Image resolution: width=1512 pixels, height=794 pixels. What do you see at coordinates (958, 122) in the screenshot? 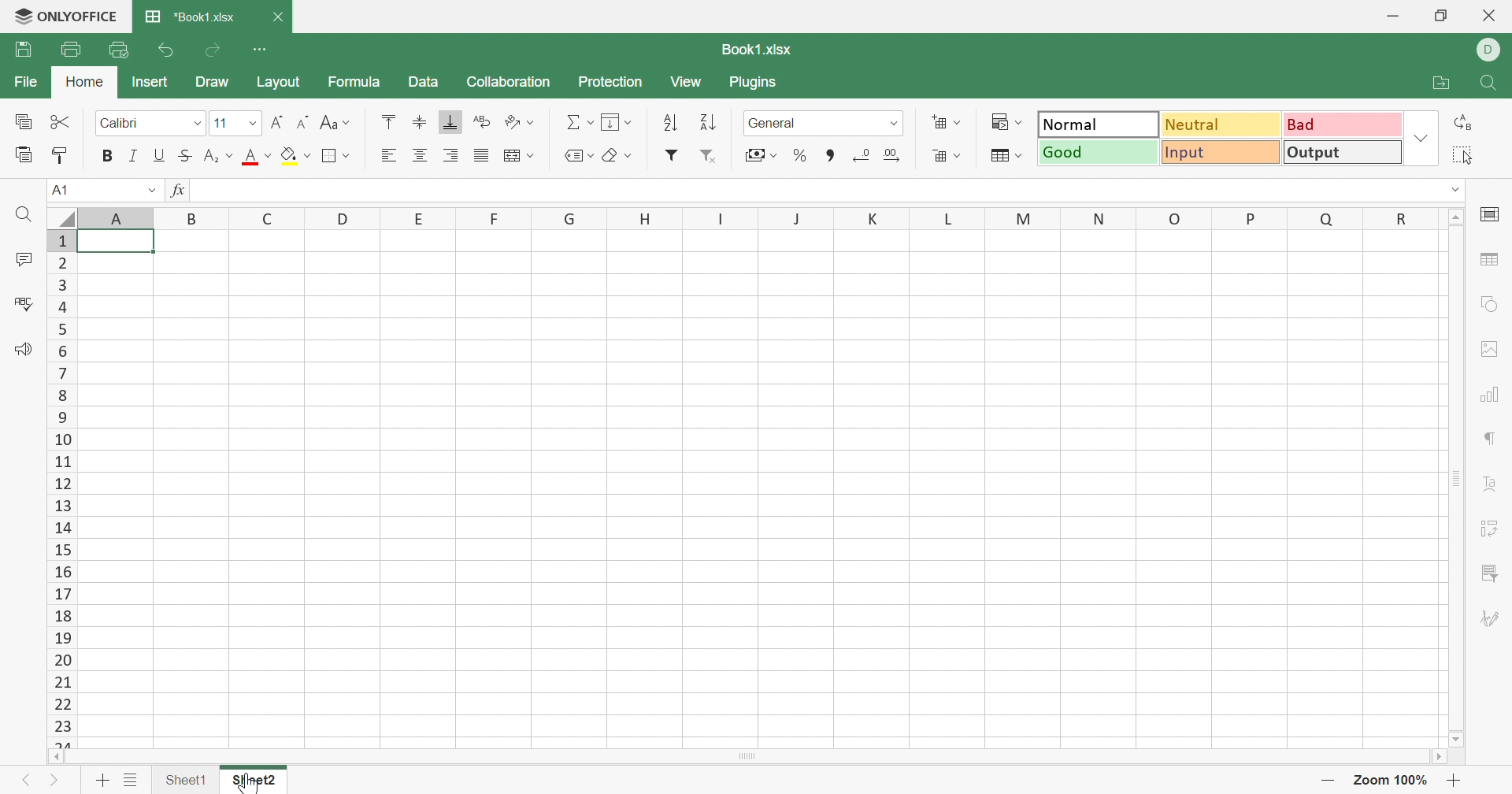
I see `Drop Down` at bounding box center [958, 122].